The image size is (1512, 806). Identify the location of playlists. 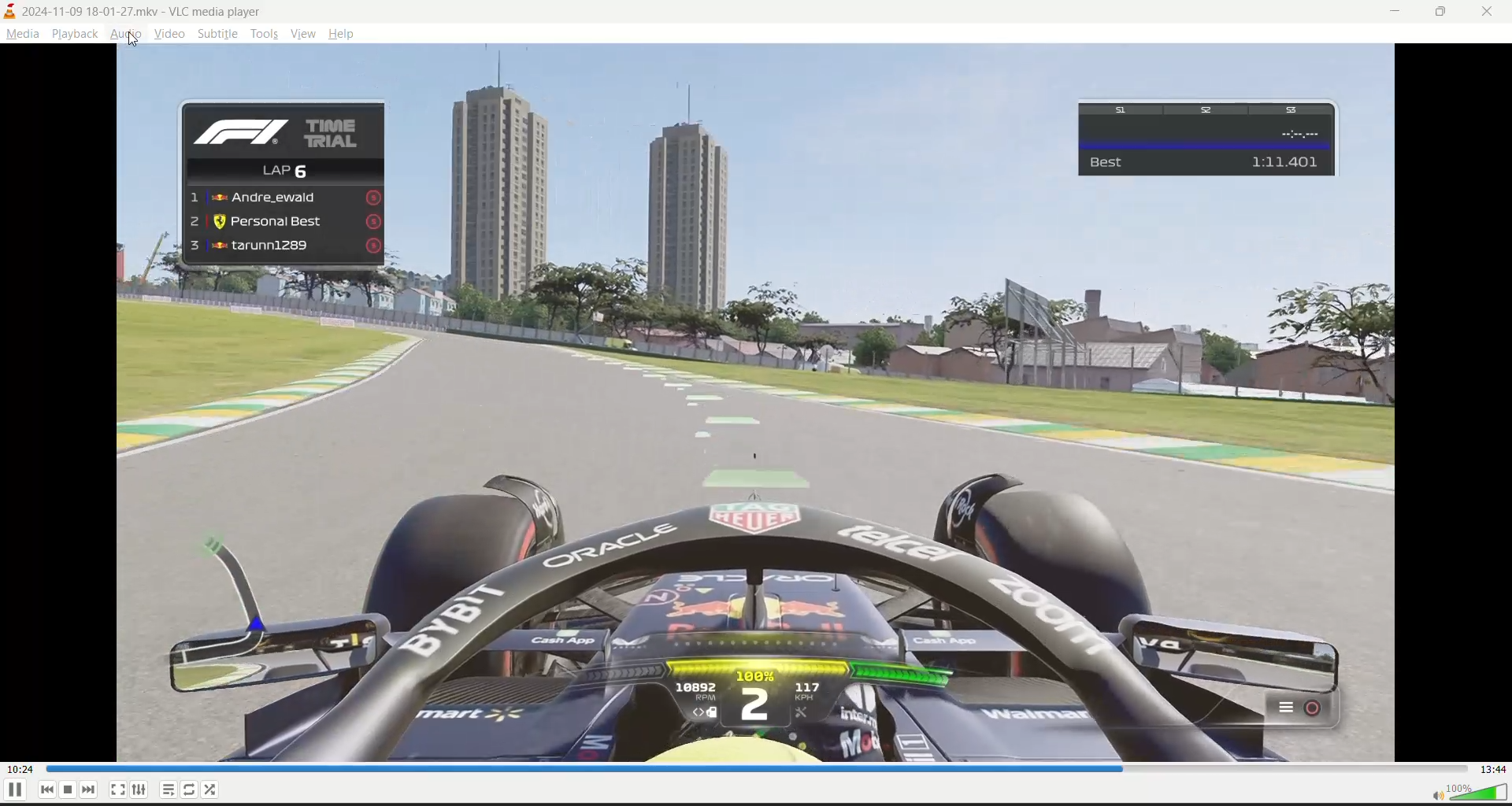
(169, 790).